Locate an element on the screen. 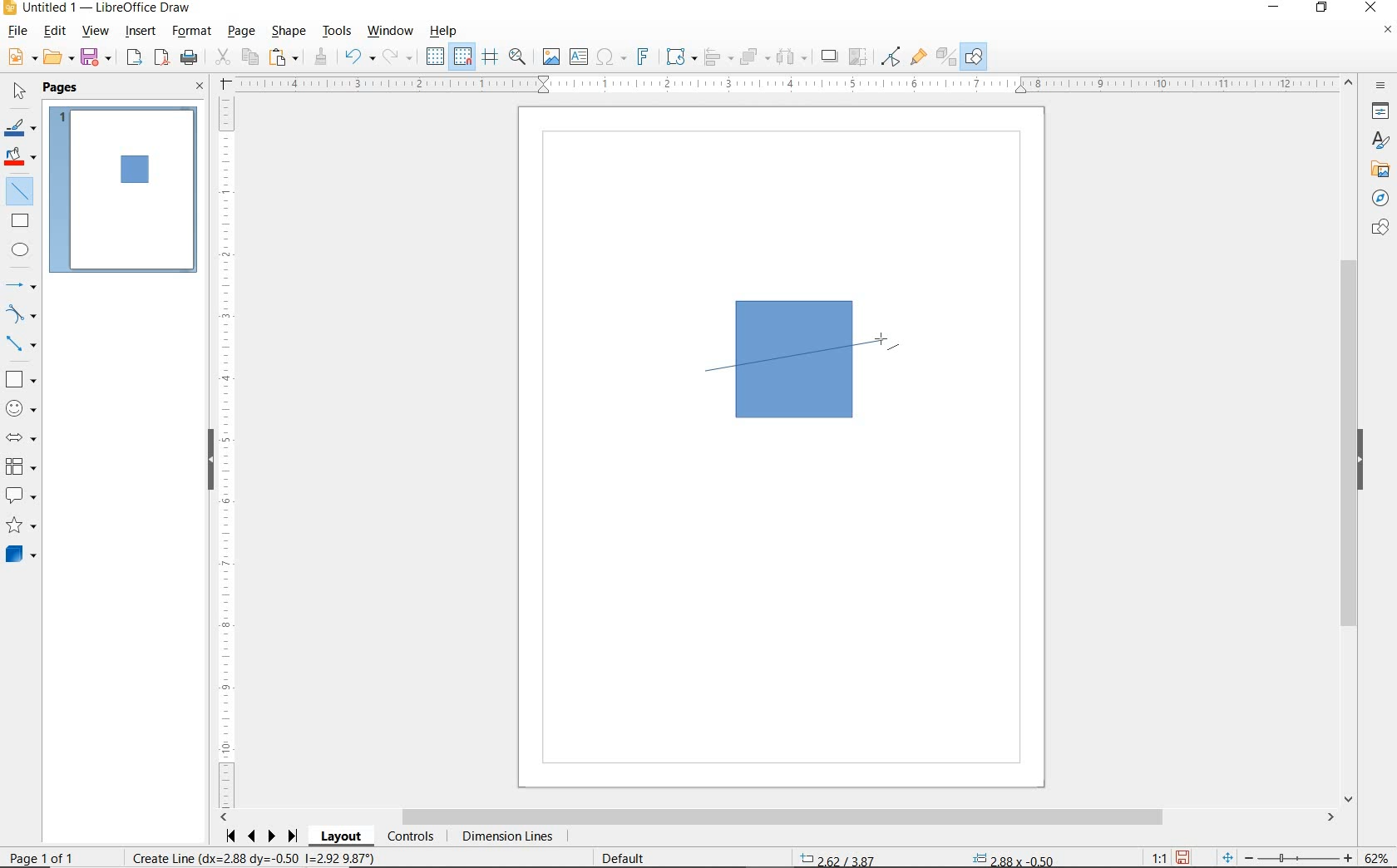  INSERT LINE is located at coordinates (124, 186).